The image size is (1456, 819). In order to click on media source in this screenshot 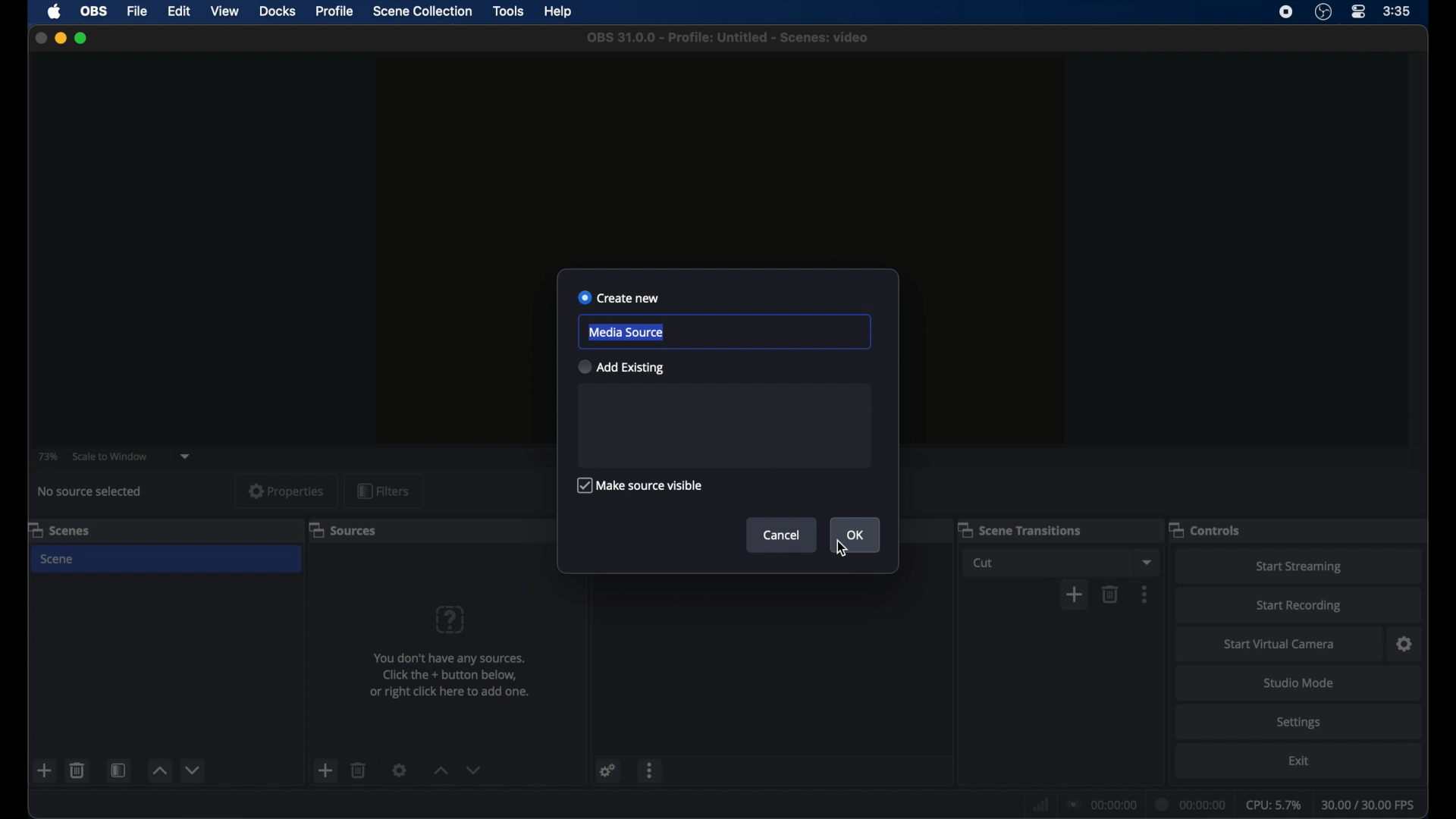, I will do `click(625, 332)`.